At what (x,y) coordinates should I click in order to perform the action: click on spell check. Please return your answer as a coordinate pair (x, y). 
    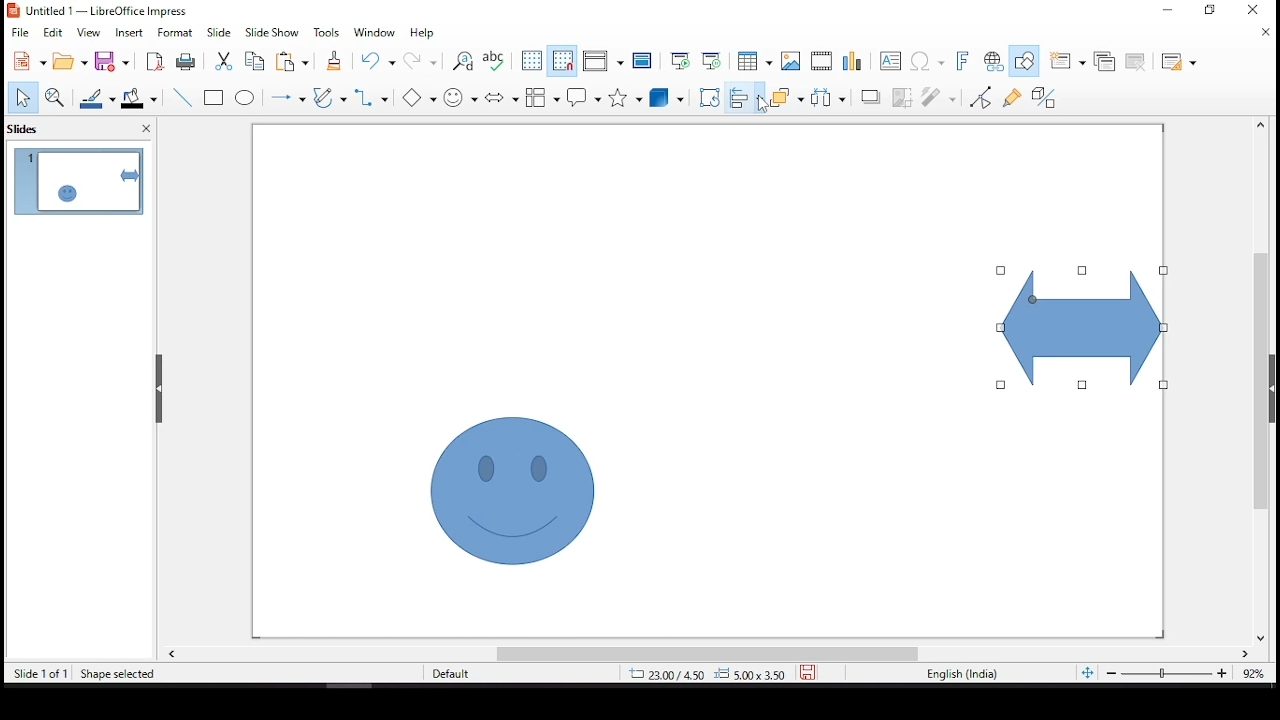
    Looking at the image, I should click on (495, 61).